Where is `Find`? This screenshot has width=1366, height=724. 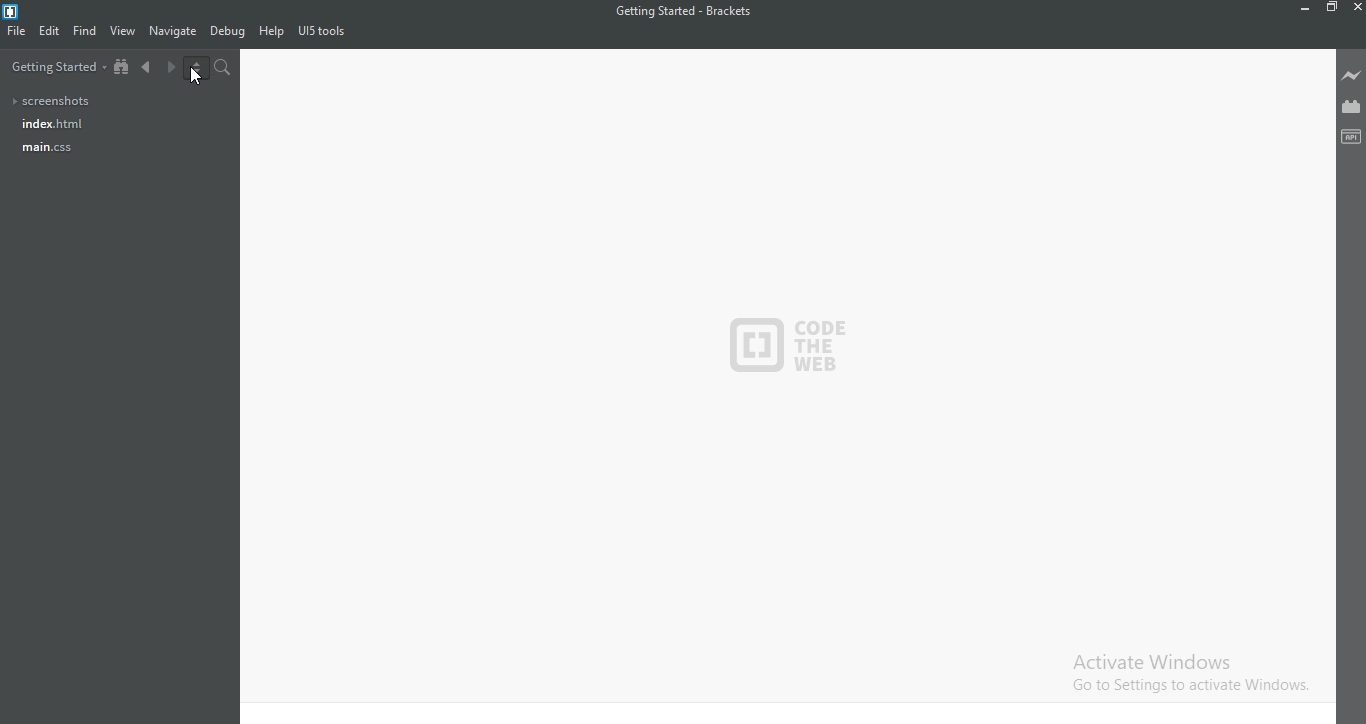
Find is located at coordinates (85, 30).